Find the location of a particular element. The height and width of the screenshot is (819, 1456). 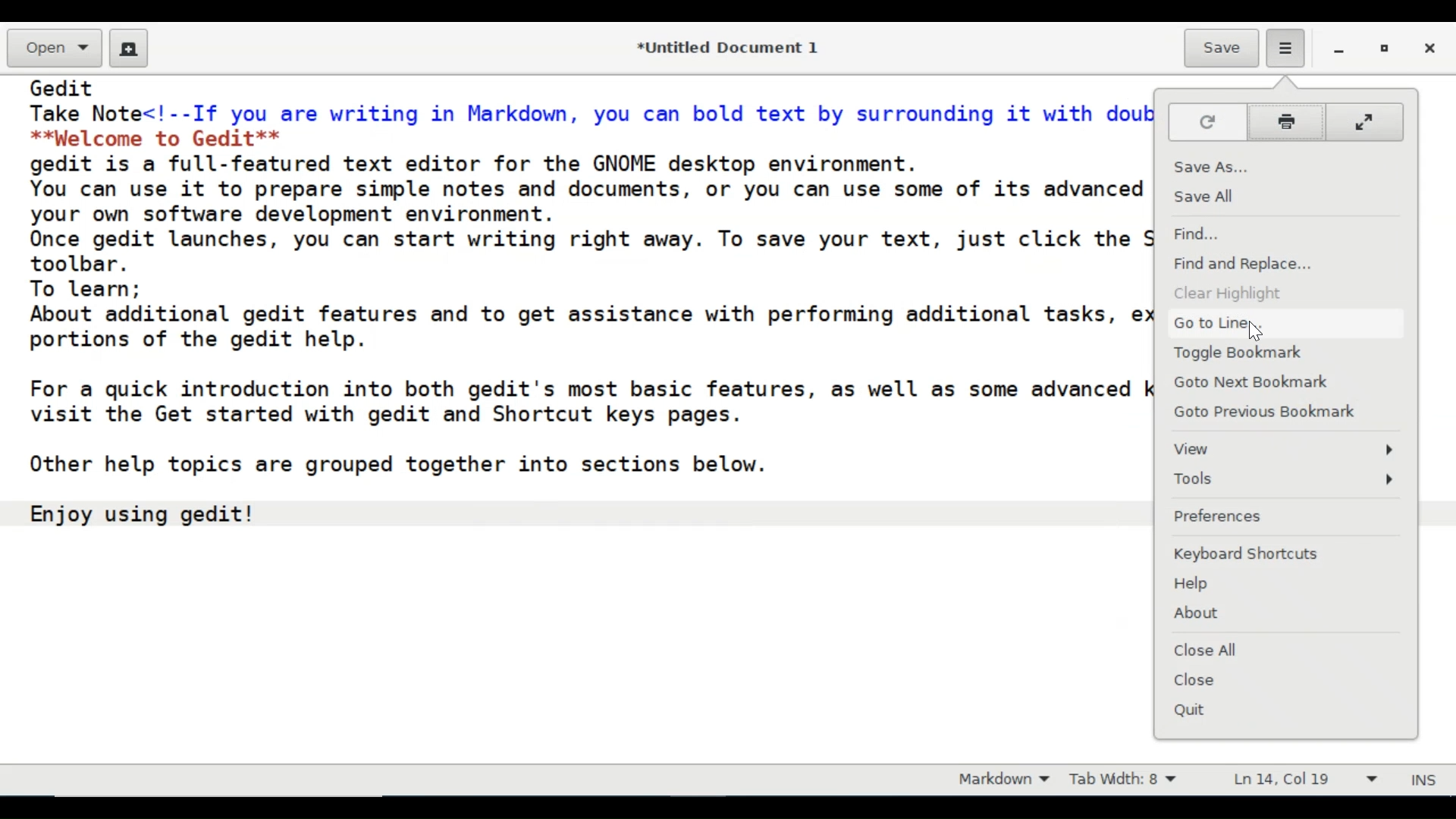

Line and Column prefernce is located at coordinates (1308, 781).